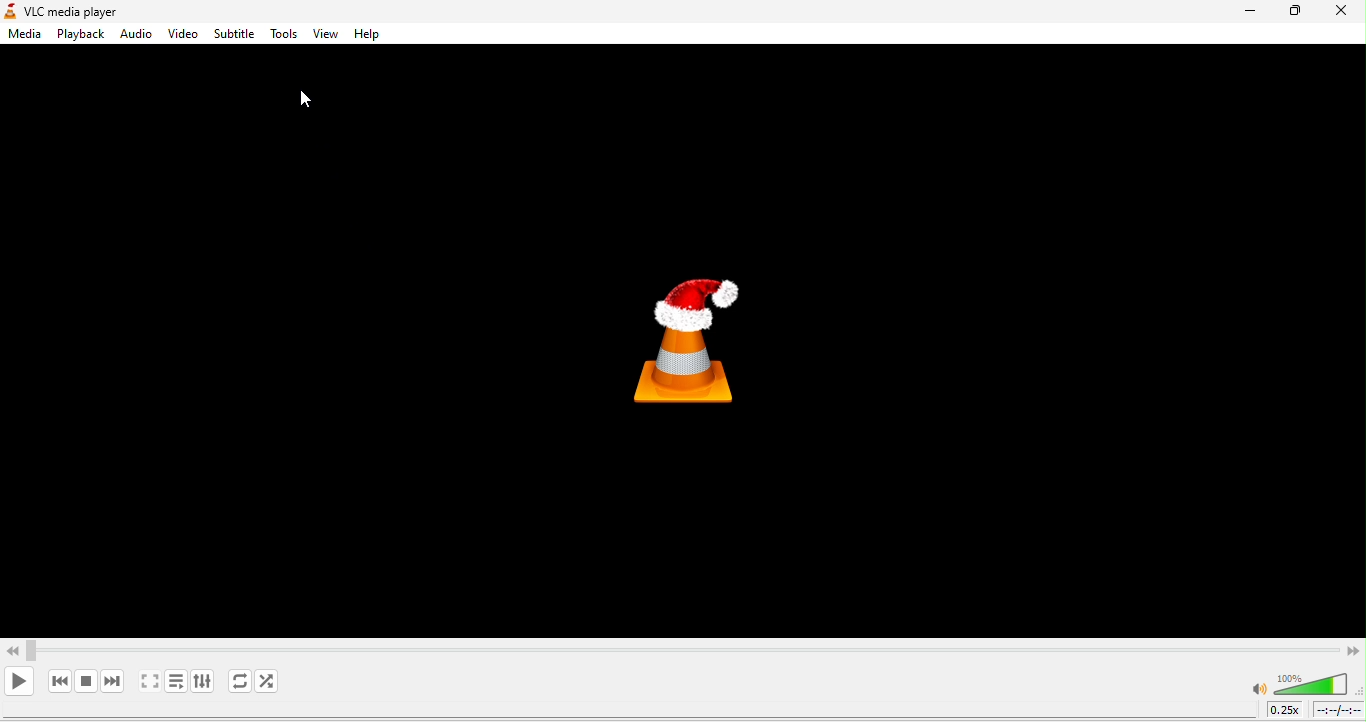 The height and width of the screenshot is (722, 1366). Describe the element at coordinates (1339, 712) in the screenshot. I see `timeline` at that location.